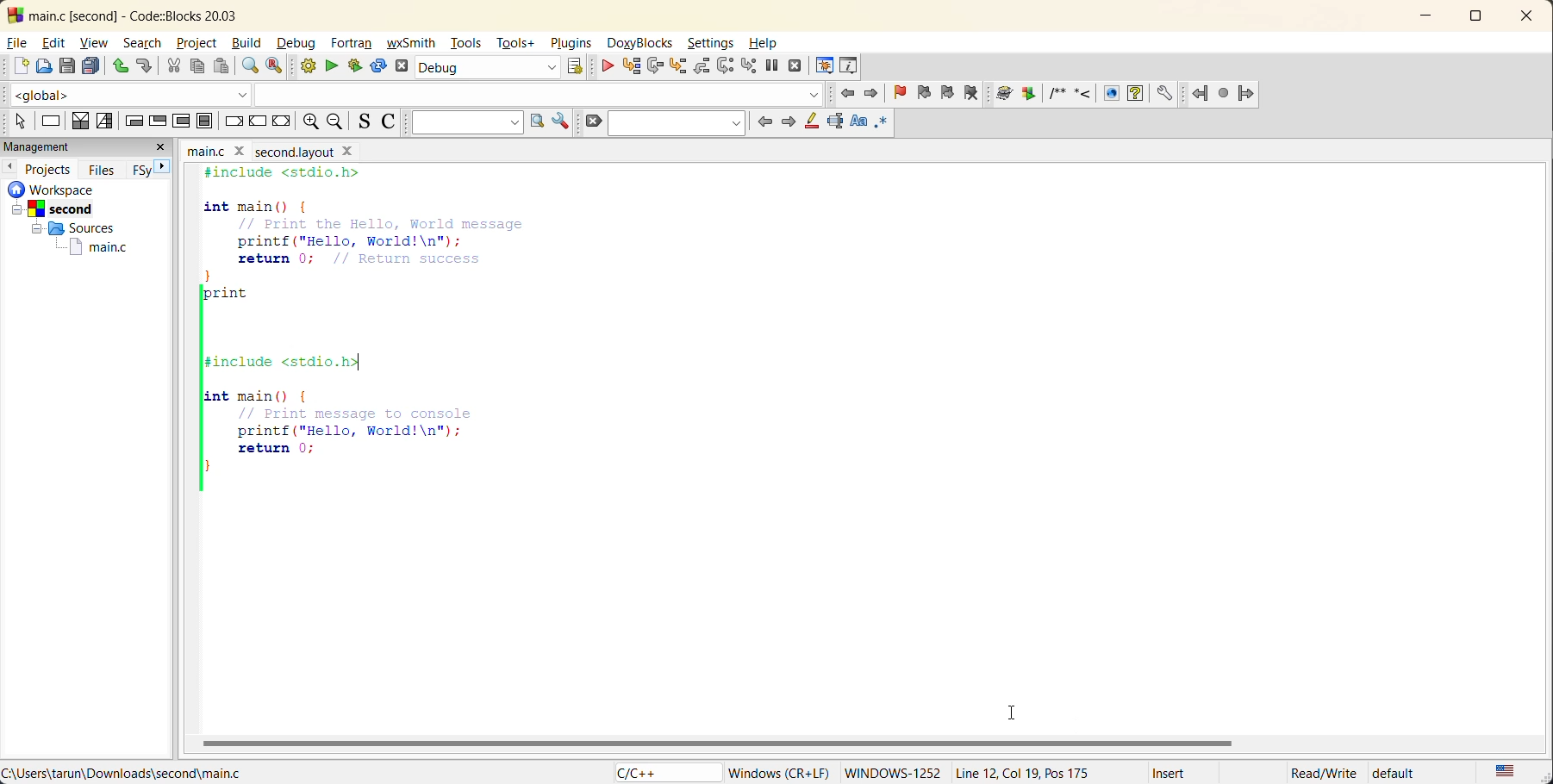  What do you see at coordinates (517, 44) in the screenshot?
I see `tools+` at bounding box center [517, 44].